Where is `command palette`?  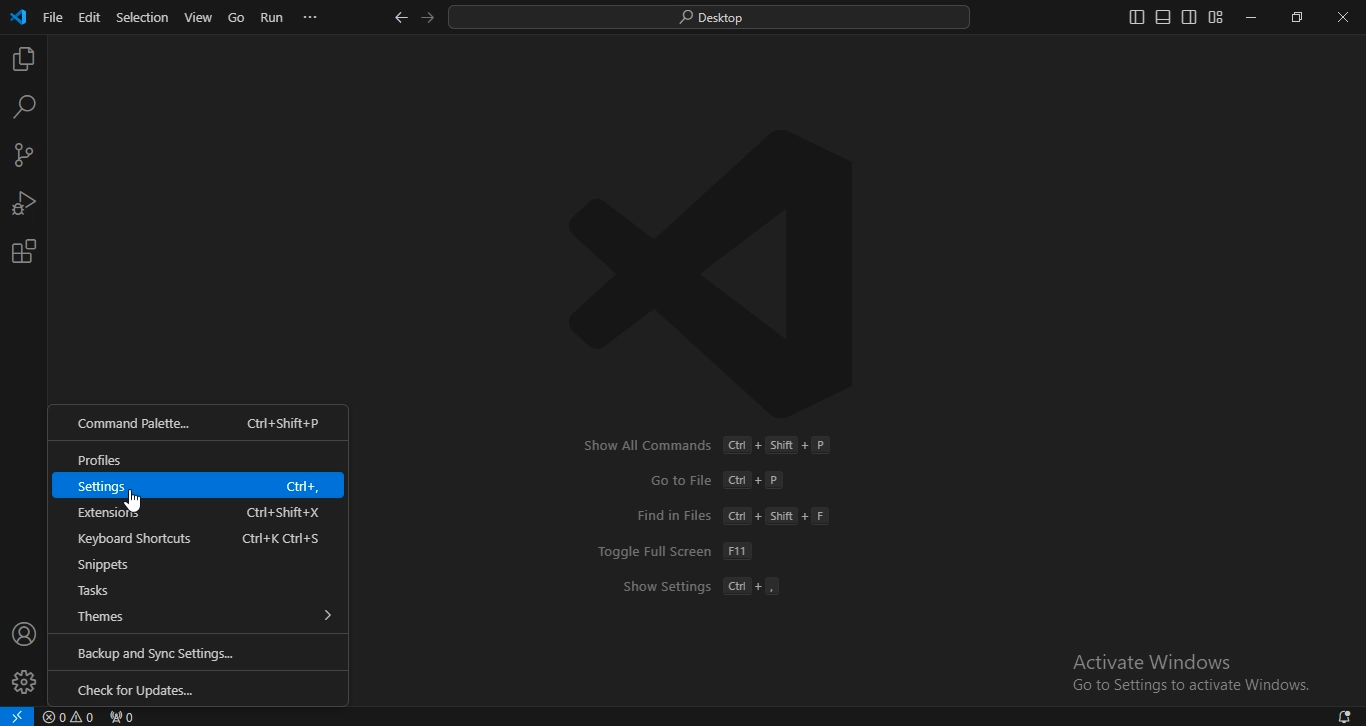 command palette is located at coordinates (144, 424).